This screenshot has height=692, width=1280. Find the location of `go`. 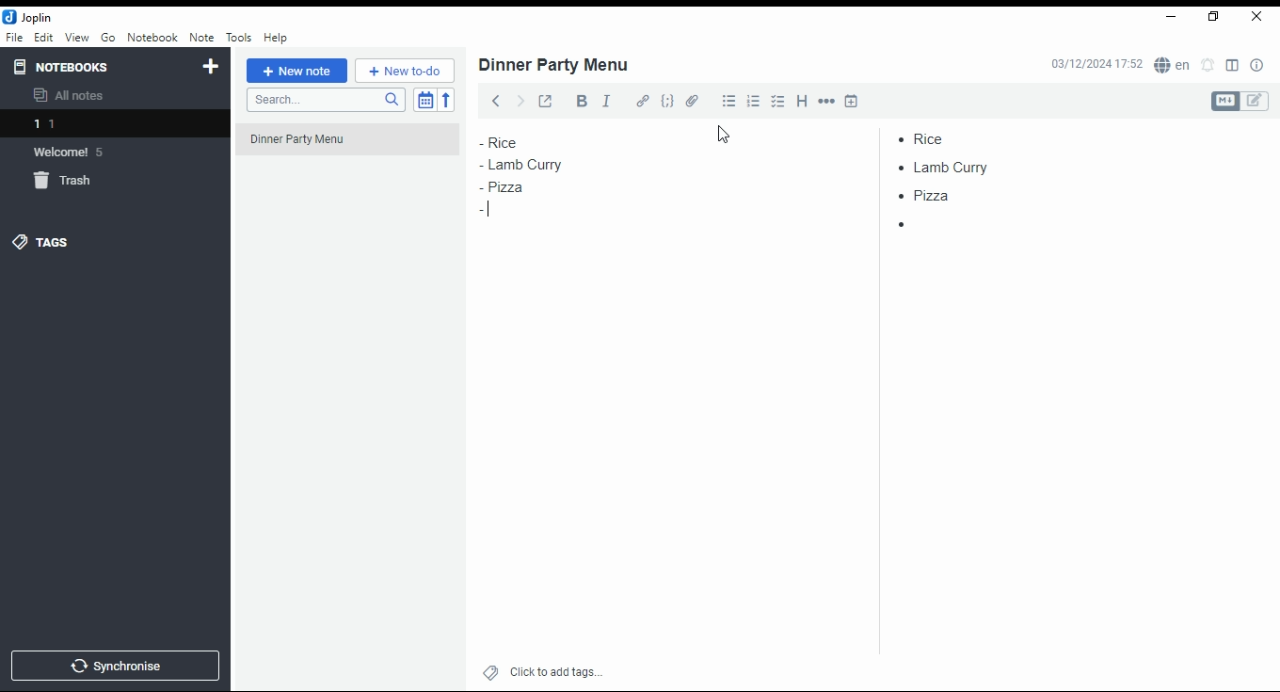

go is located at coordinates (108, 38).